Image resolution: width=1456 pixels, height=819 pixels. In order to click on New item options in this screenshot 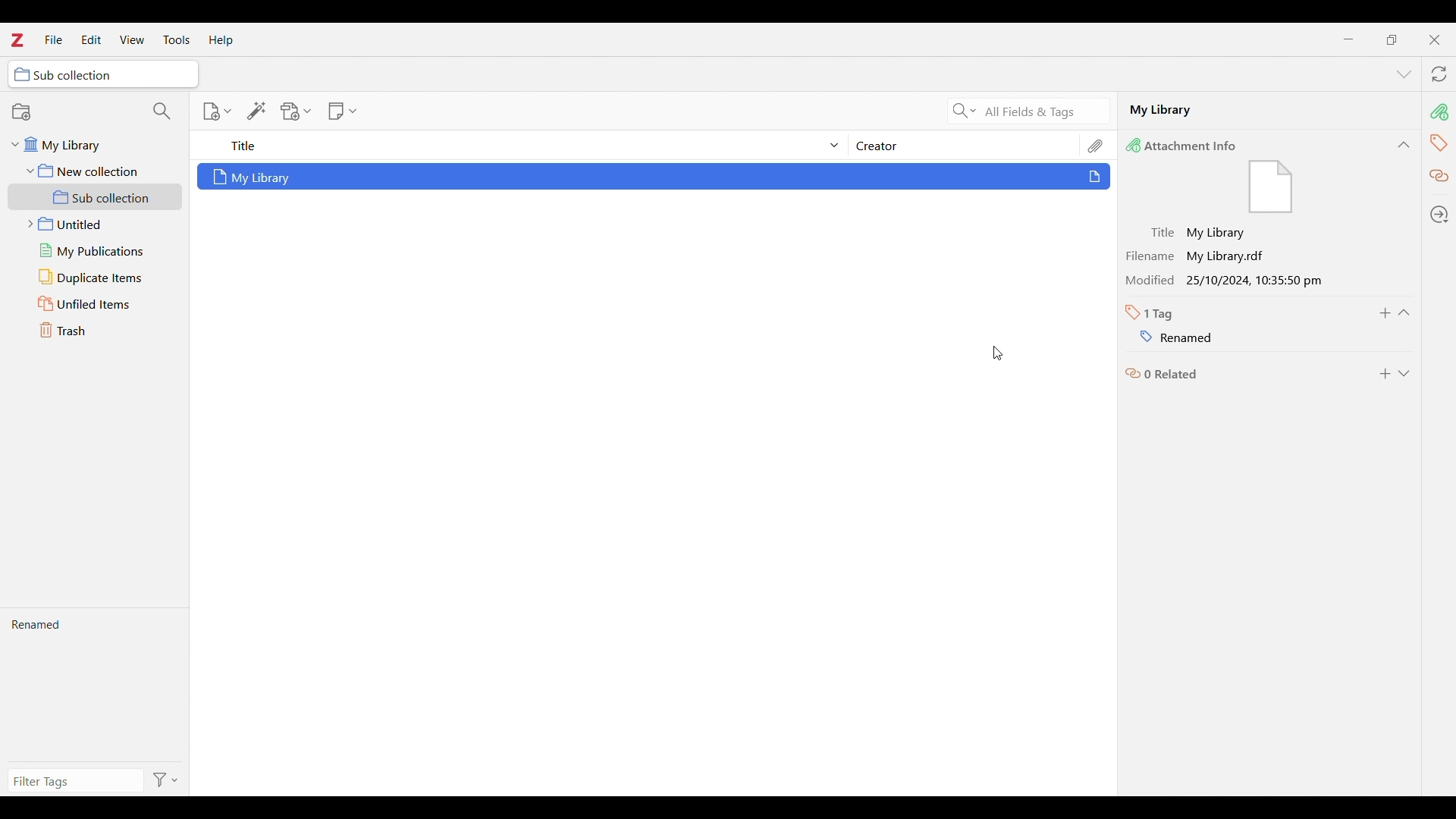, I will do `click(217, 111)`.